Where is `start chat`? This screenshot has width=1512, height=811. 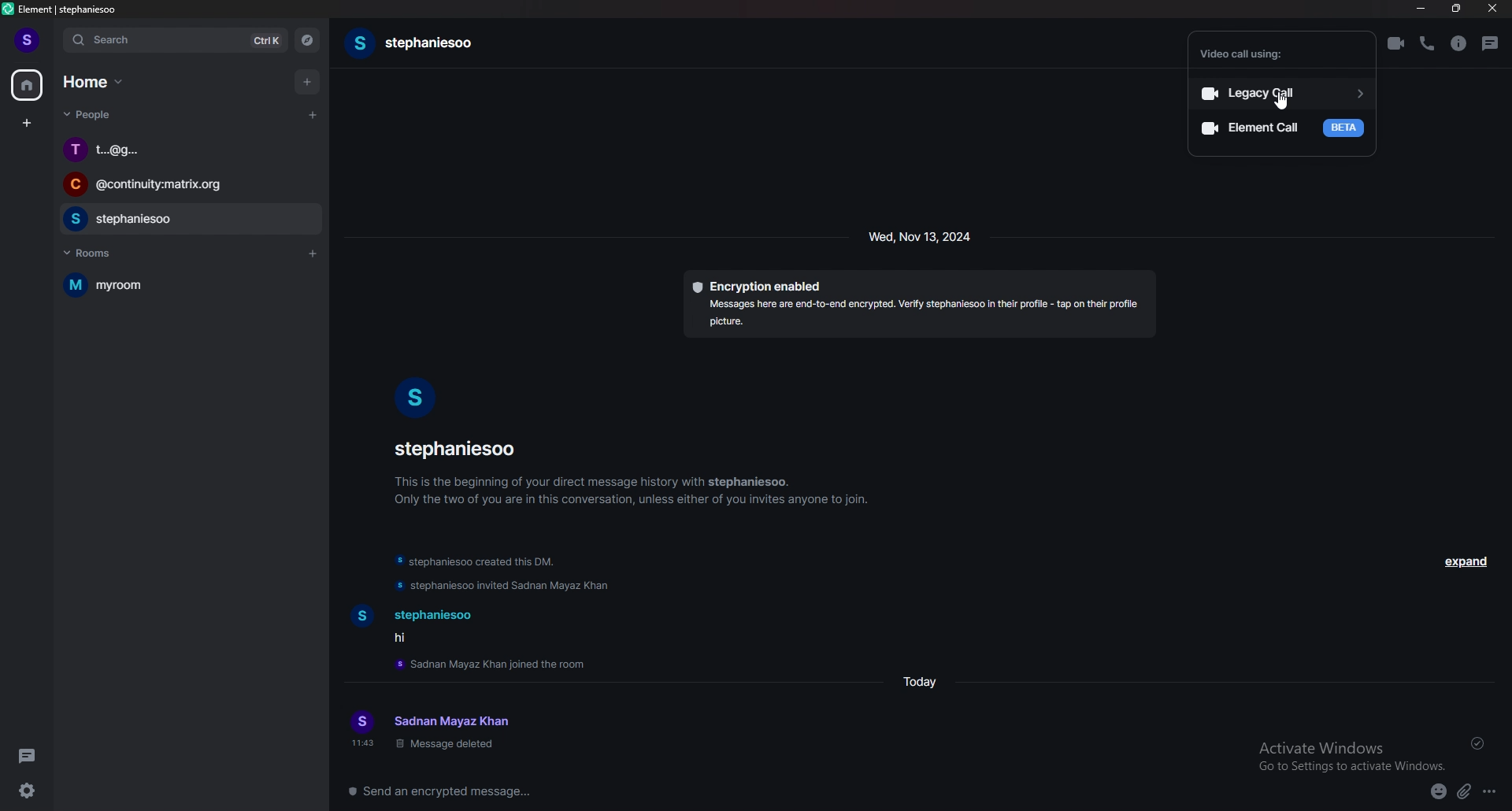 start chat is located at coordinates (313, 114).